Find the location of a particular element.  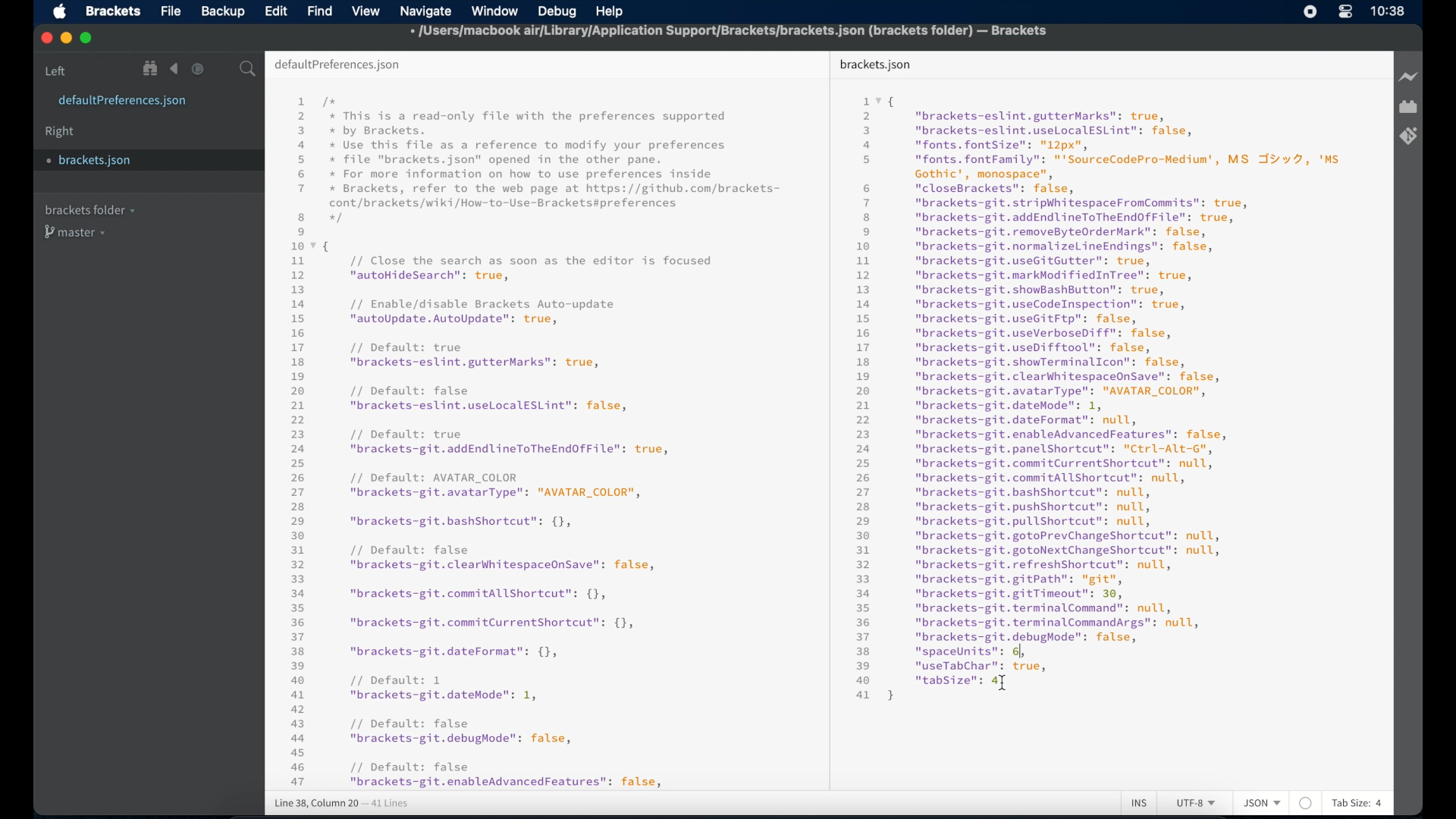

right is located at coordinates (60, 132).